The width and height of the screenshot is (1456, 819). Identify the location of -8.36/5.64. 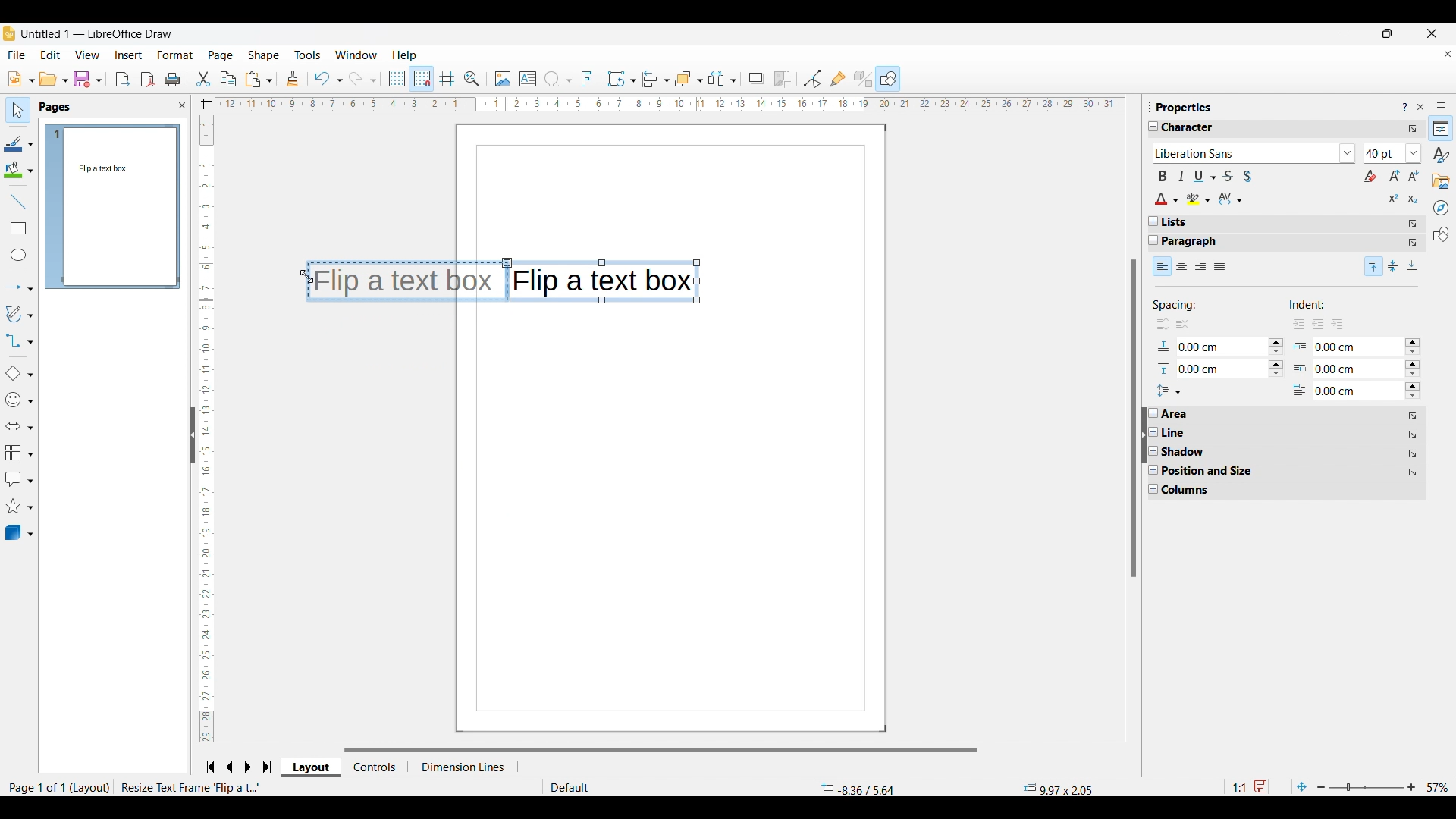
(858, 787).